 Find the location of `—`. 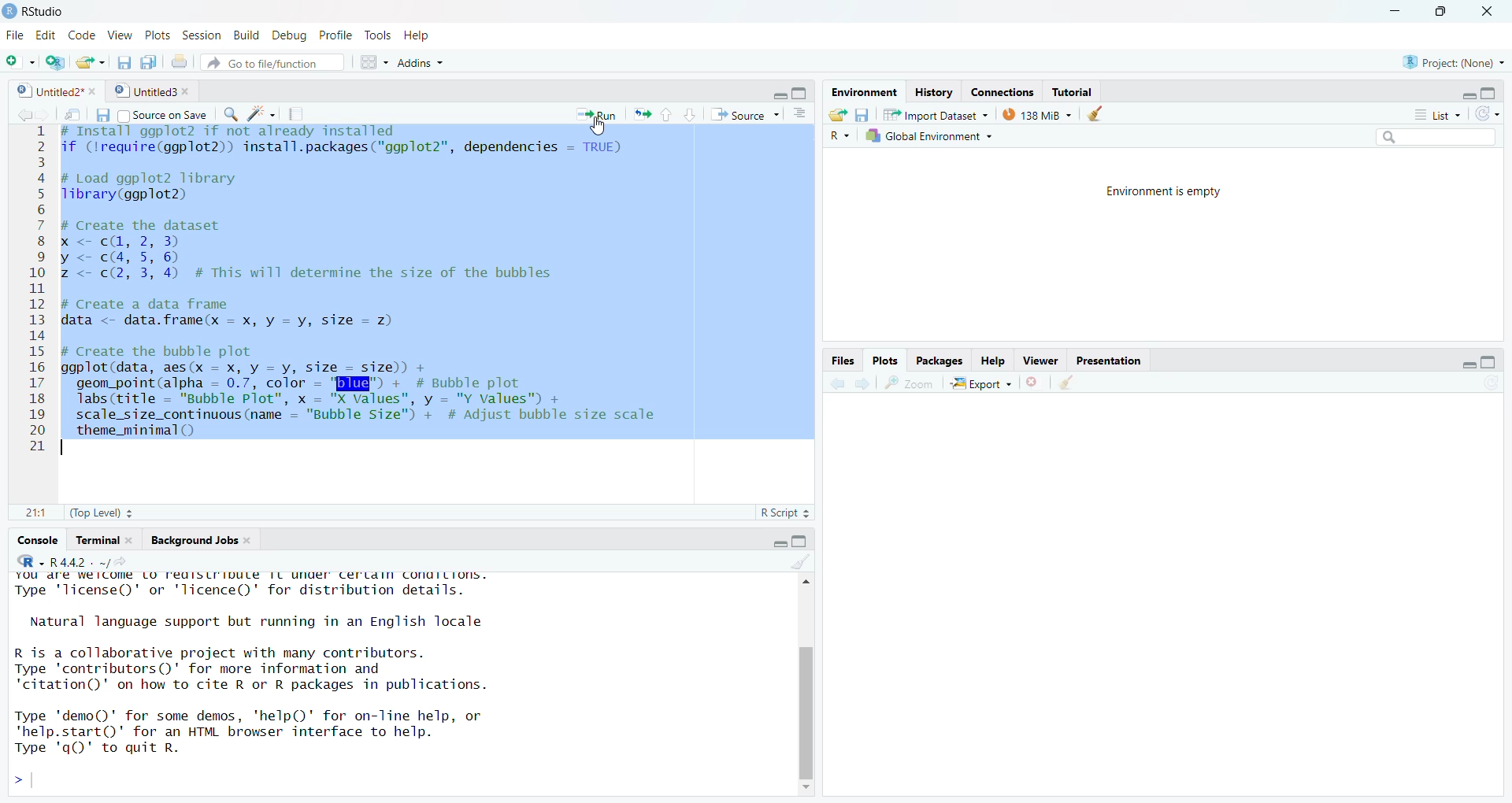

— is located at coordinates (1043, 359).